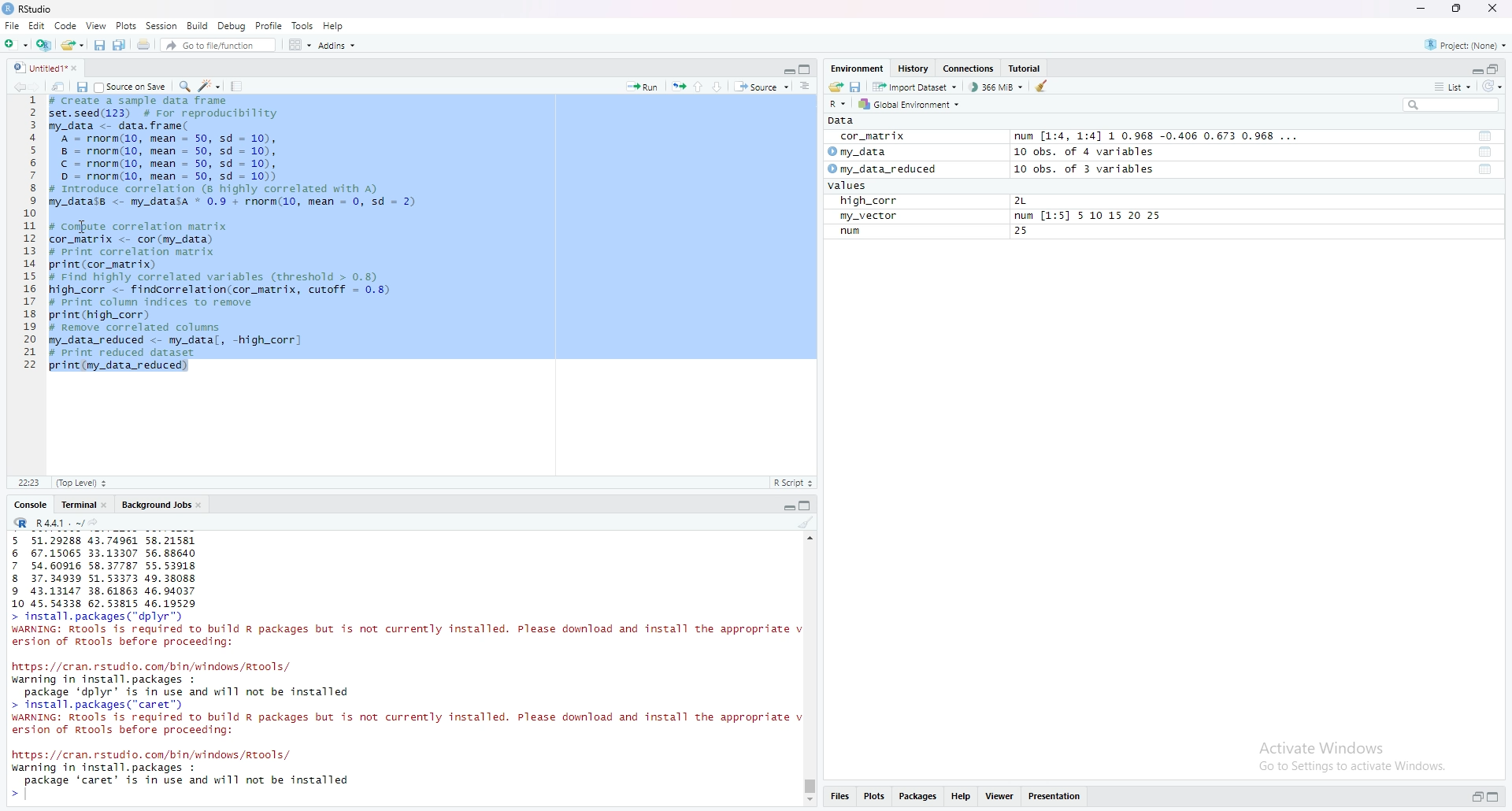 This screenshot has width=1512, height=811. I want to click on values, so click(850, 185).